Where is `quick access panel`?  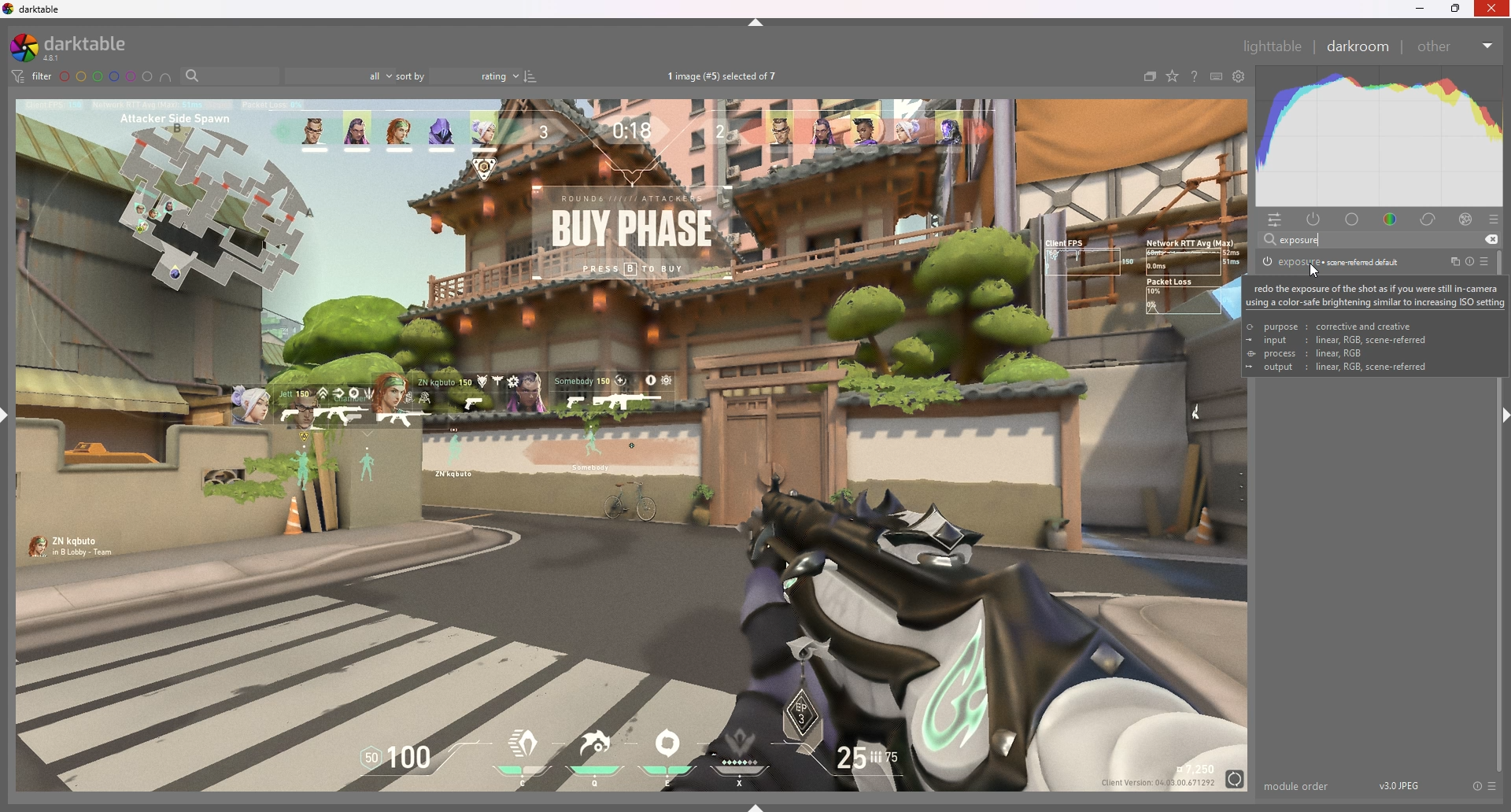 quick access panel is located at coordinates (1278, 220).